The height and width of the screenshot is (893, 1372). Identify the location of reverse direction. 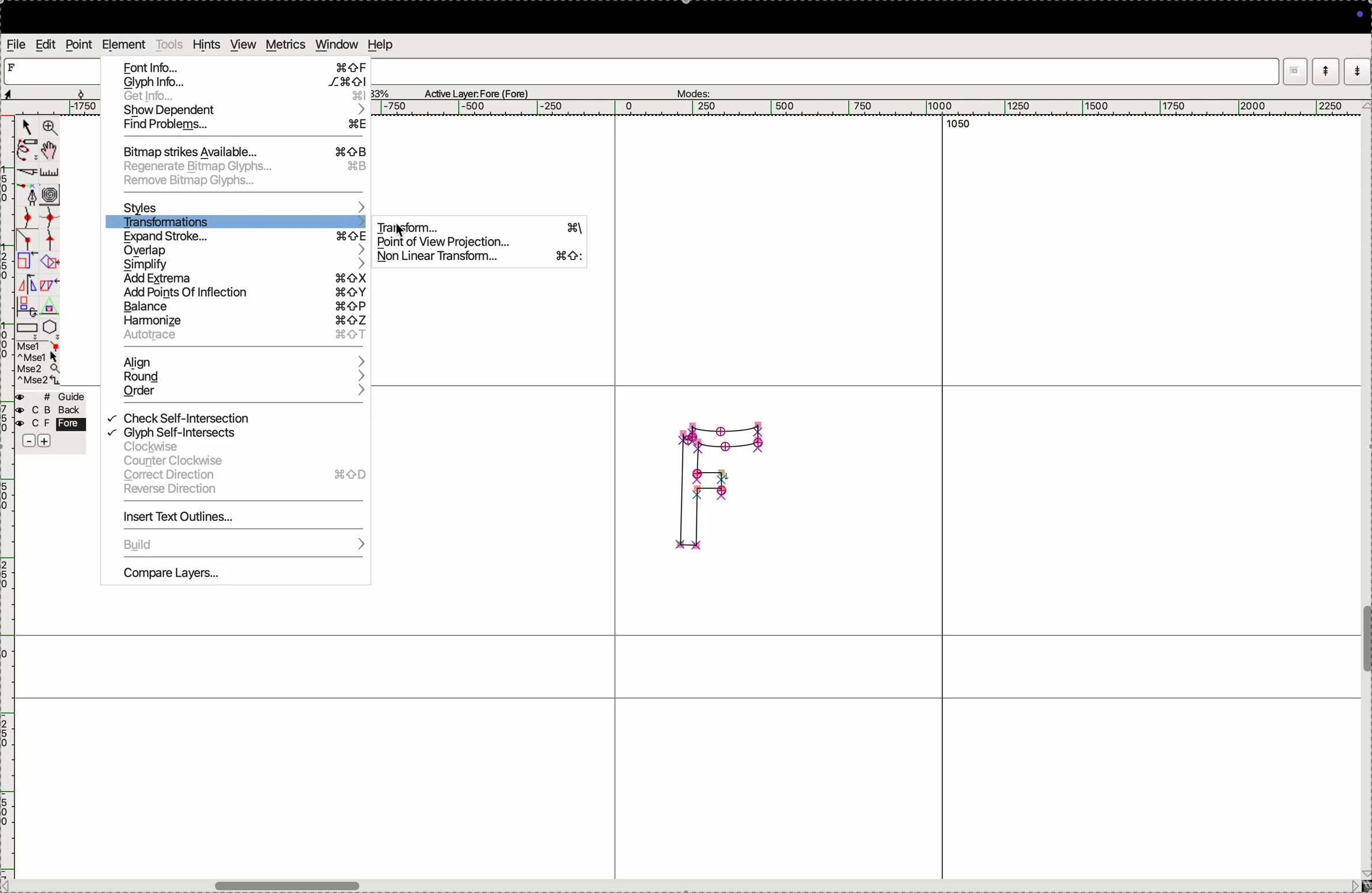
(241, 491).